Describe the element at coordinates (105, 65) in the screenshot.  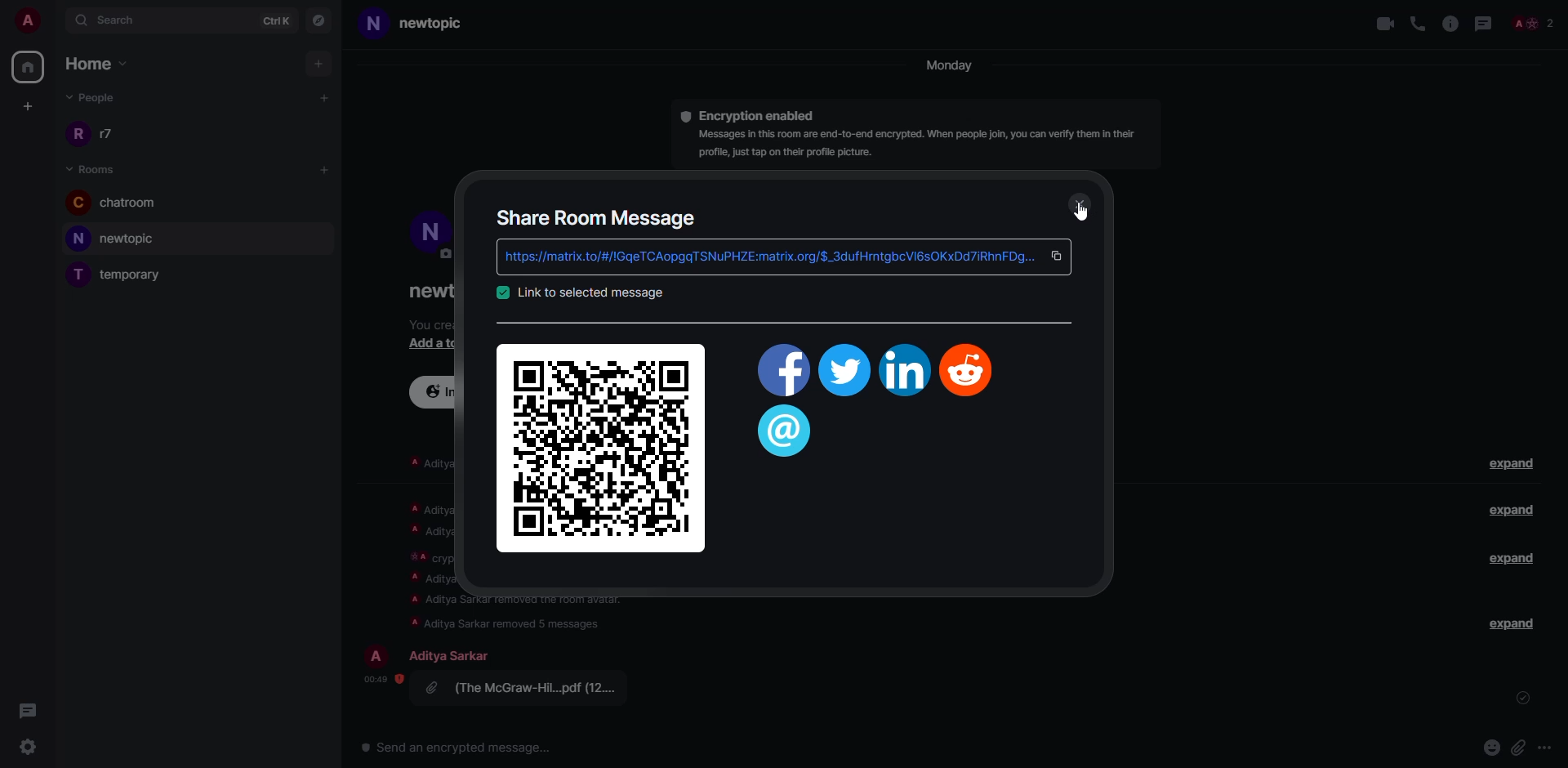
I see `home` at that location.